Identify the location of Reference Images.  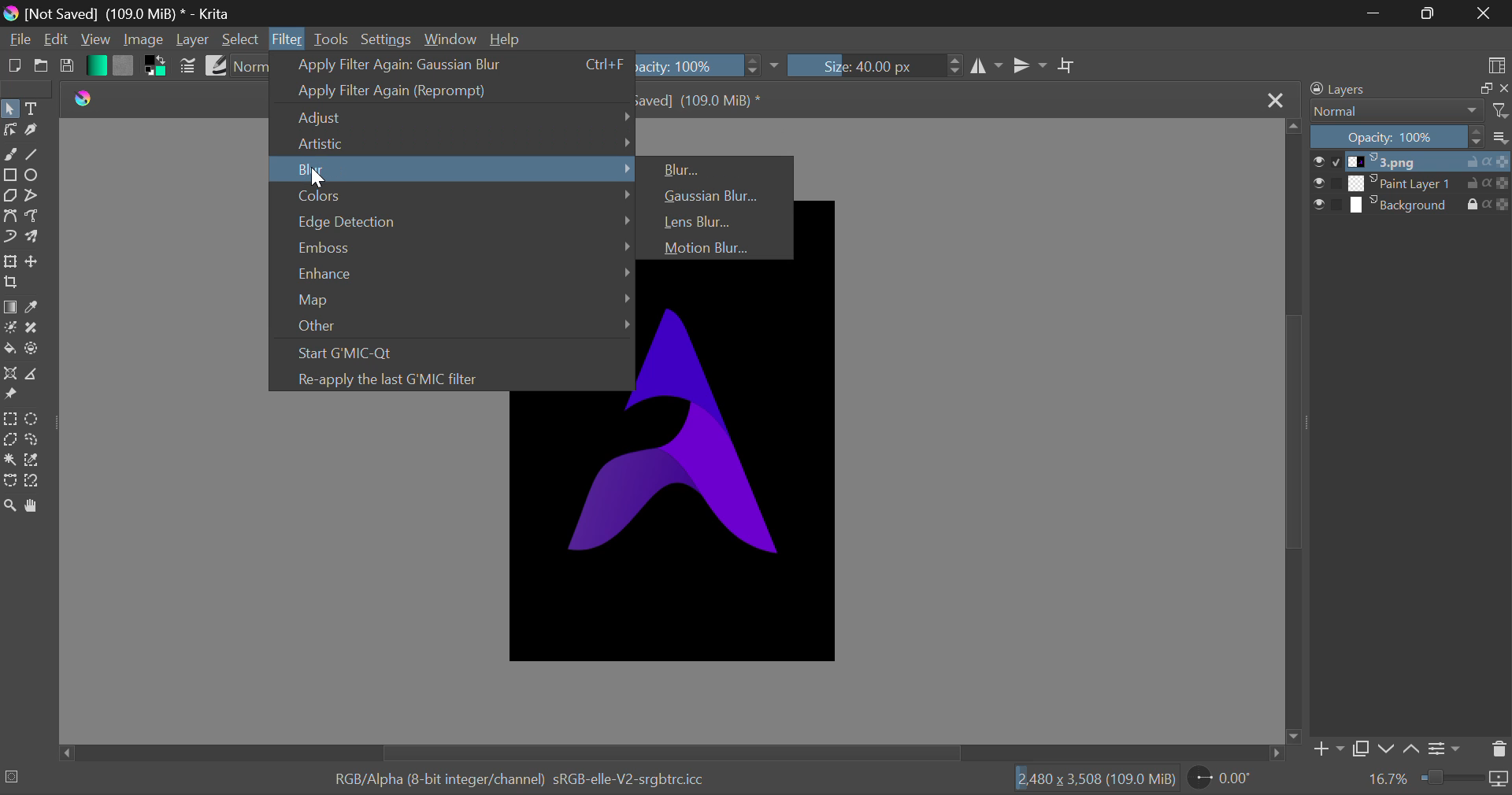
(10, 397).